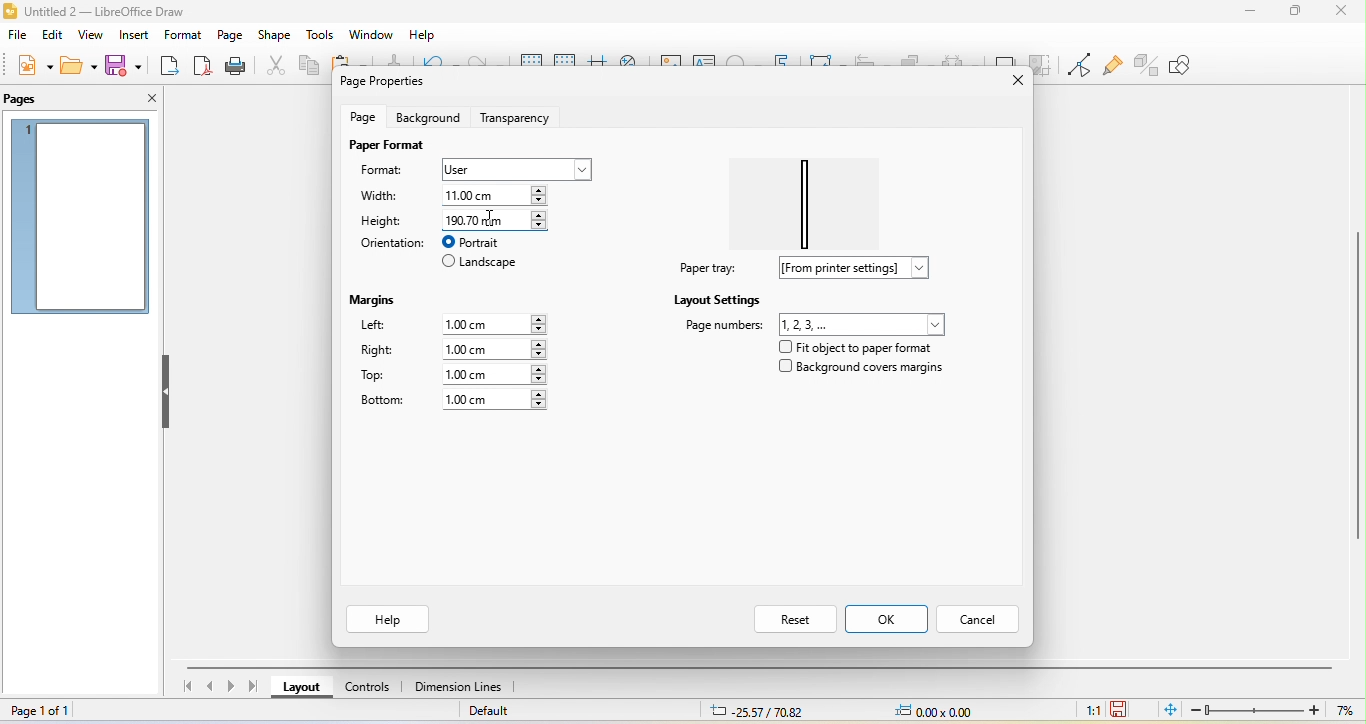  I want to click on fit object to paper format, so click(853, 347).